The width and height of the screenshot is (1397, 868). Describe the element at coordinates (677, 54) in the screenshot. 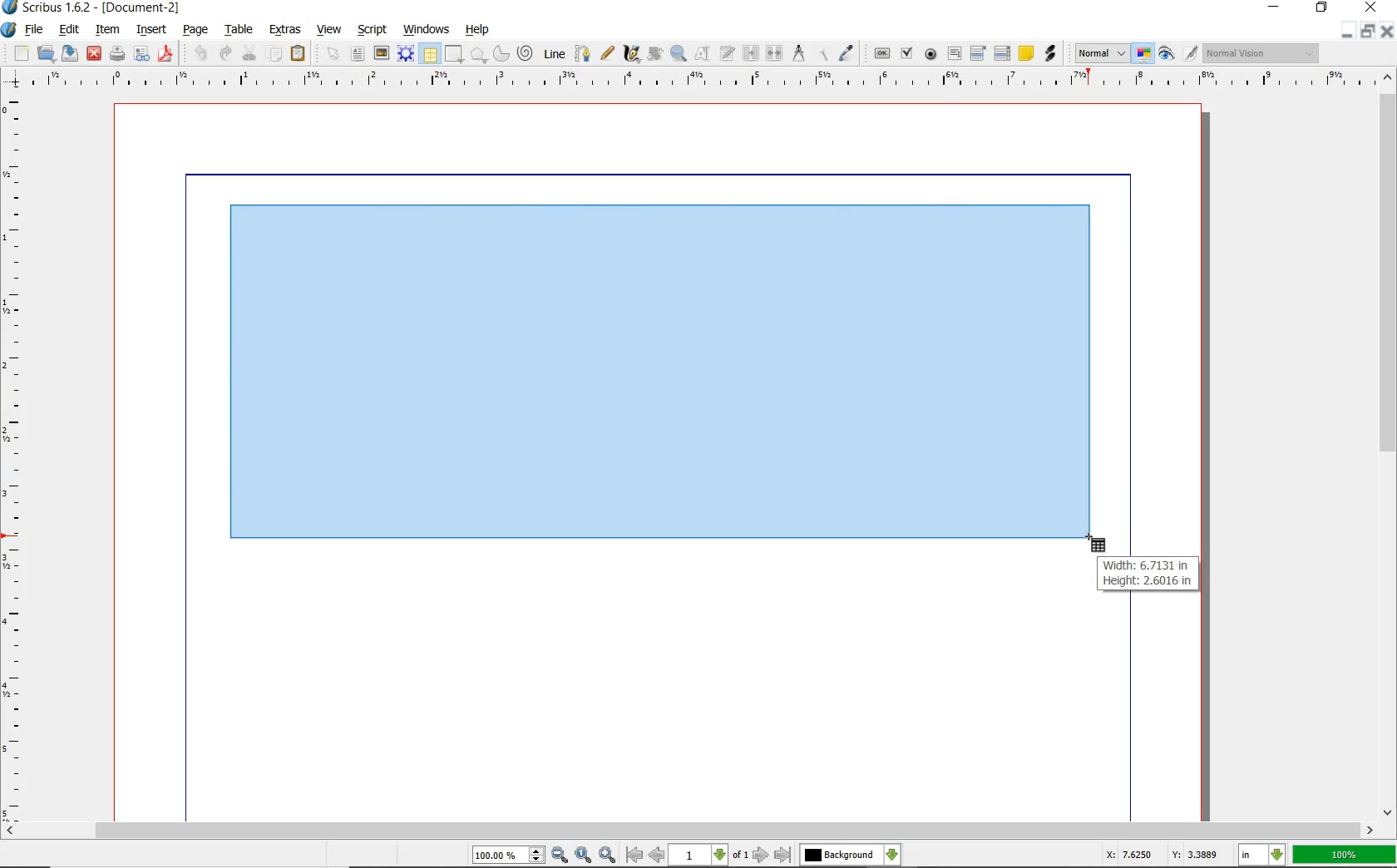

I see `zoom in or out` at that location.